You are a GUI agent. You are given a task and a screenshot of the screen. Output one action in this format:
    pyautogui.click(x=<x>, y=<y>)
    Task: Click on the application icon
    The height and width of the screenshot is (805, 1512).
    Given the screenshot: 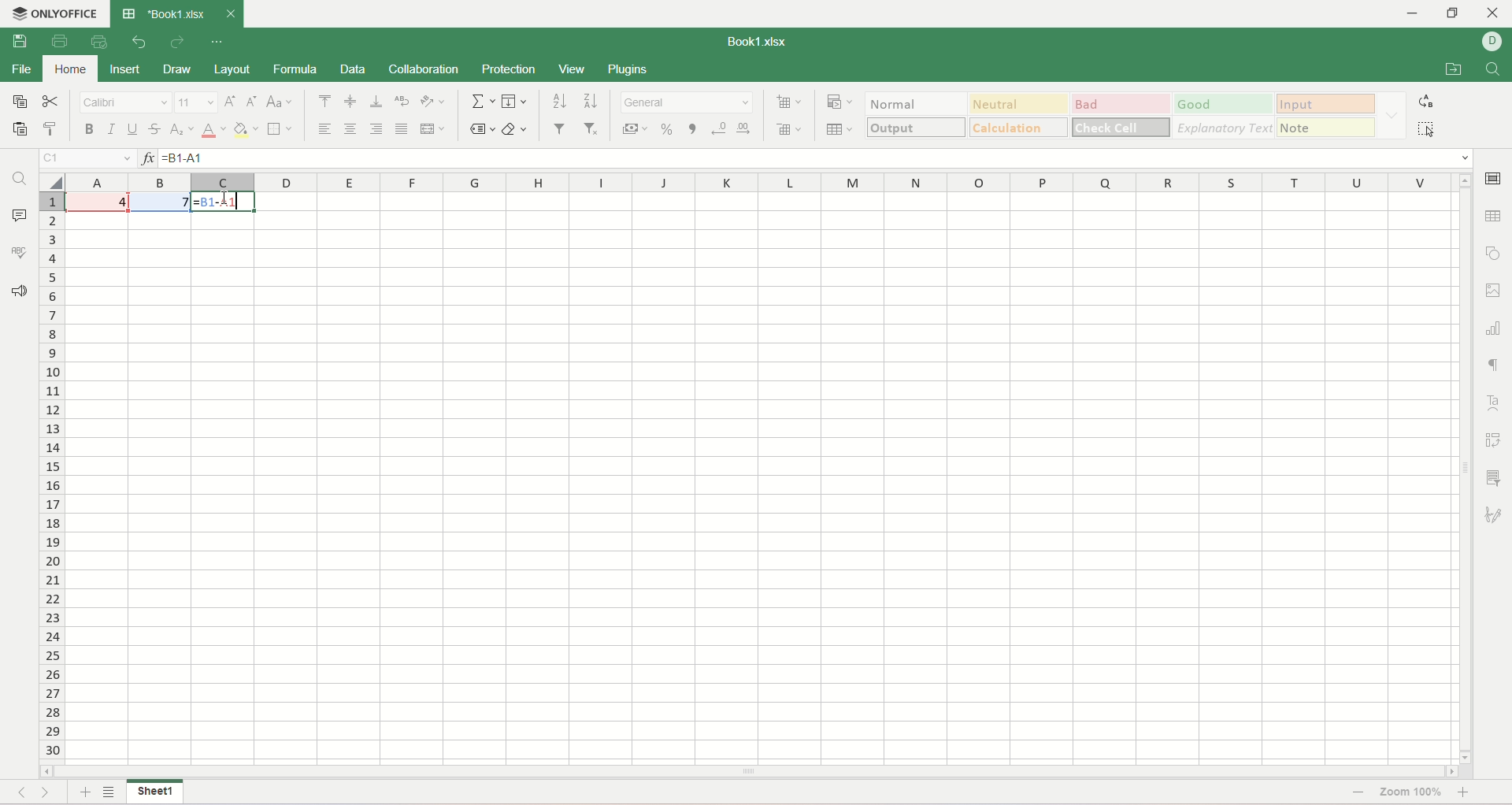 What is the action you would take?
    pyautogui.click(x=14, y=12)
    